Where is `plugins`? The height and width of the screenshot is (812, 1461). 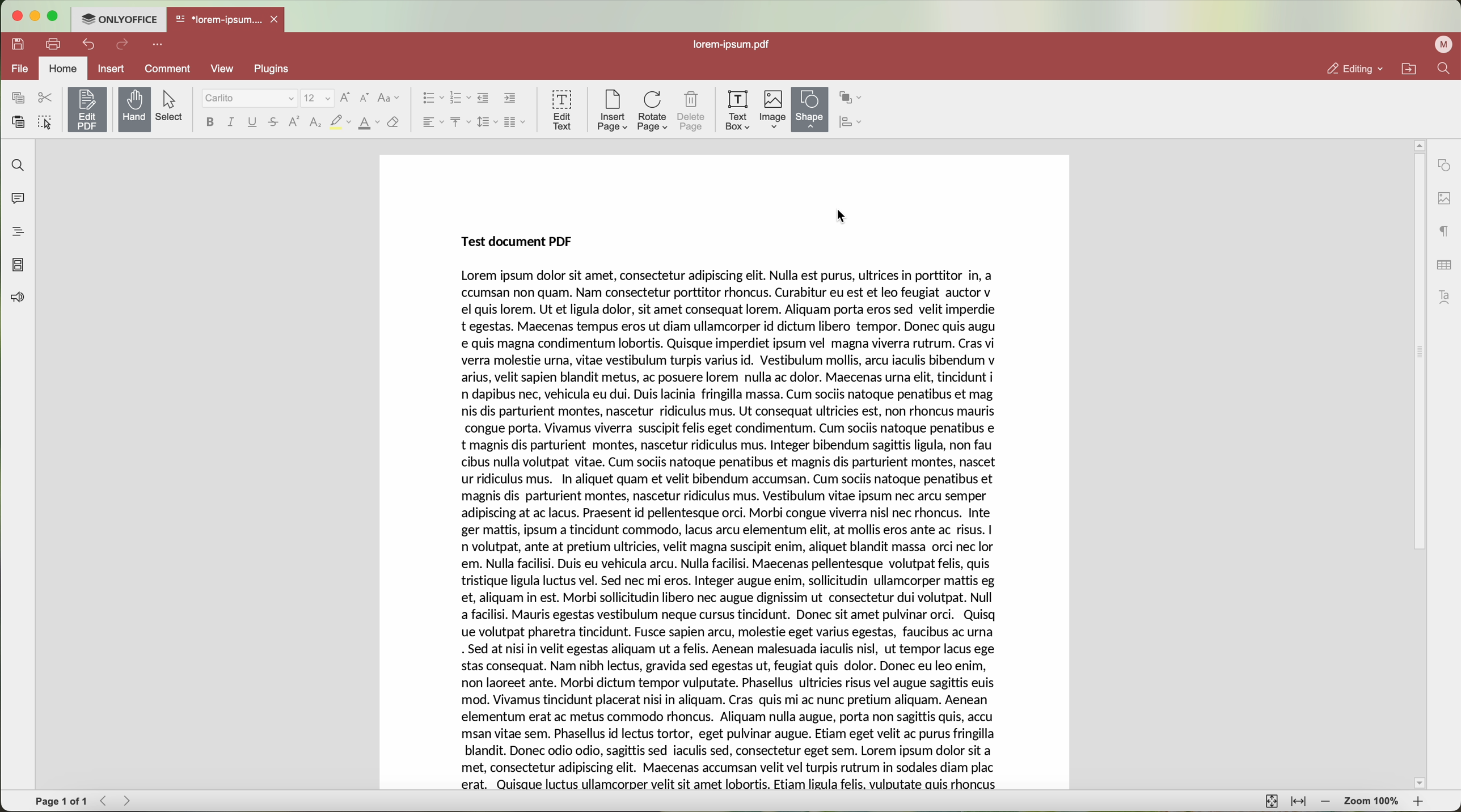
plugins is located at coordinates (285, 69).